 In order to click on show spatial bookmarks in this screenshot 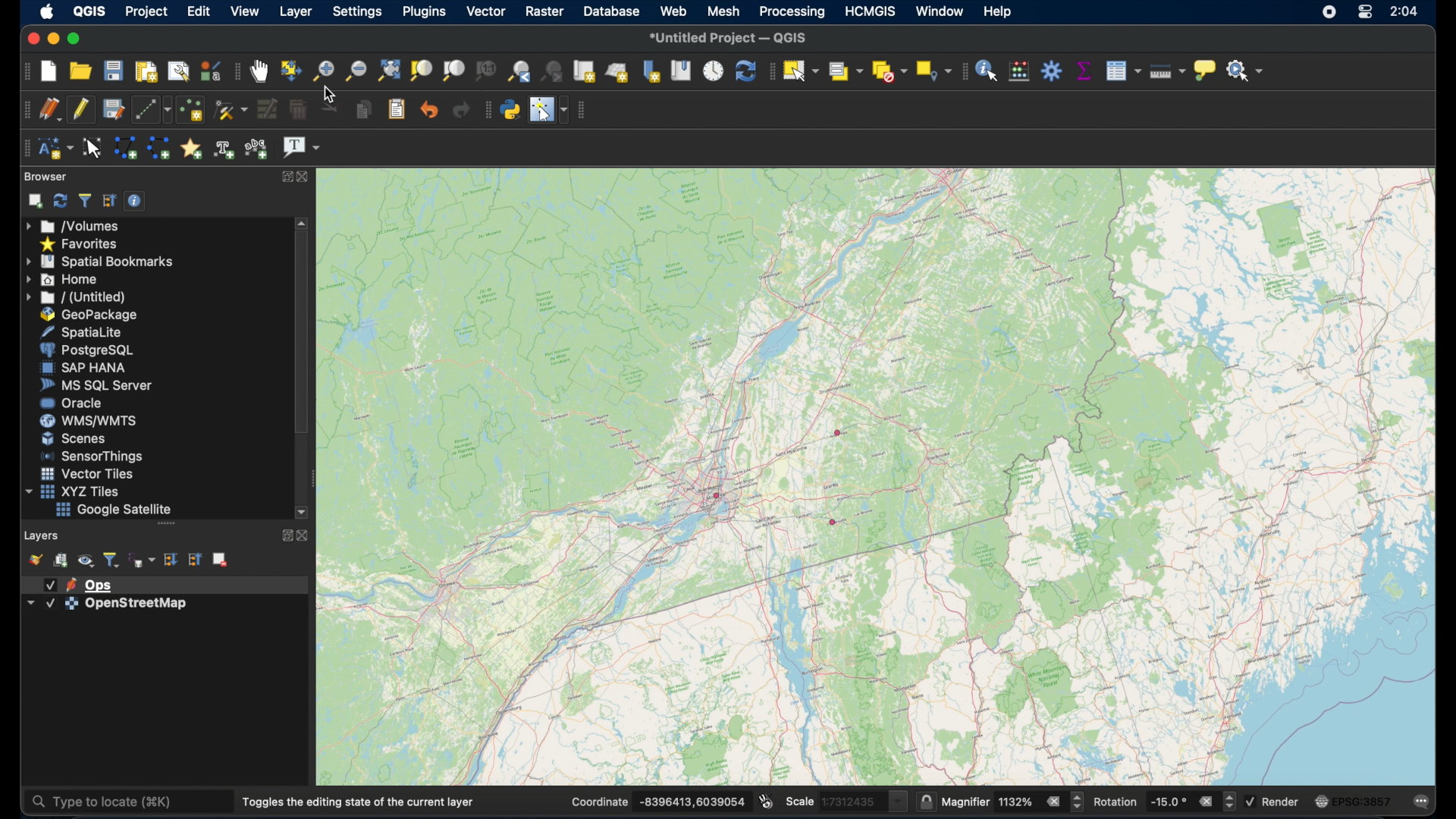, I will do `click(682, 71)`.